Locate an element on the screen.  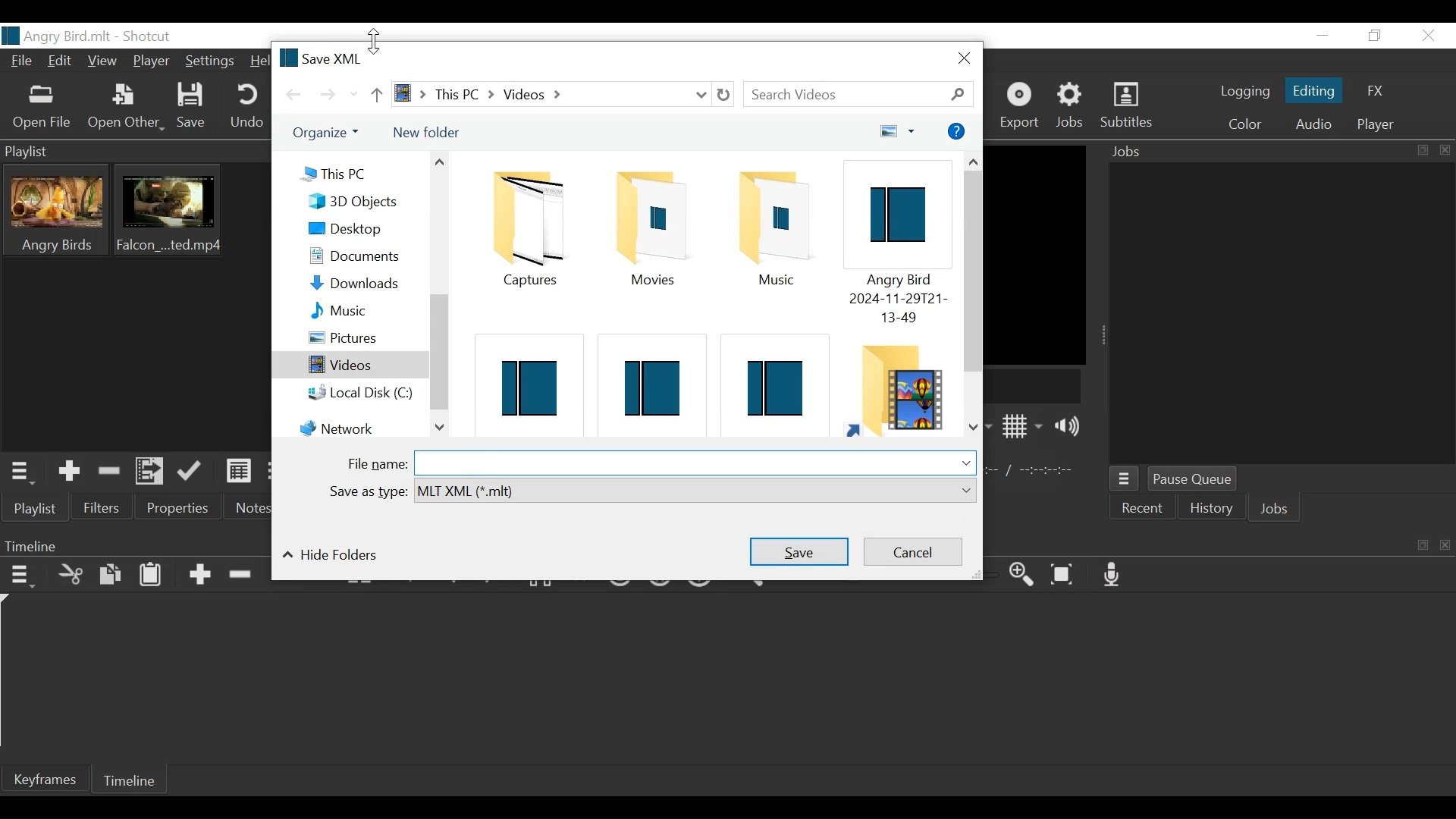
Jobs is located at coordinates (1279, 153).